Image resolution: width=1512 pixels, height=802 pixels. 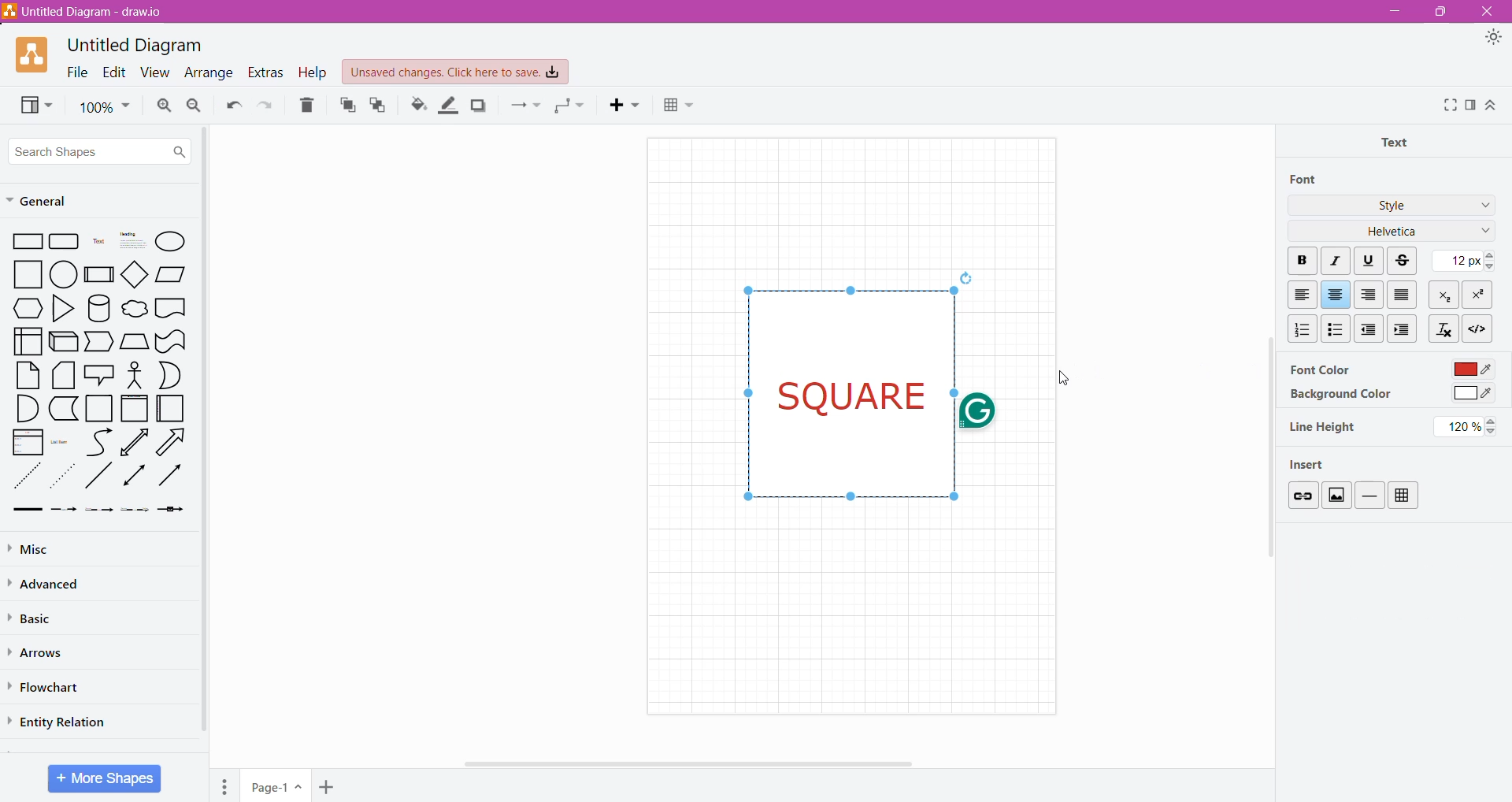 I want to click on Half Circle , so click(x=171, y=375).